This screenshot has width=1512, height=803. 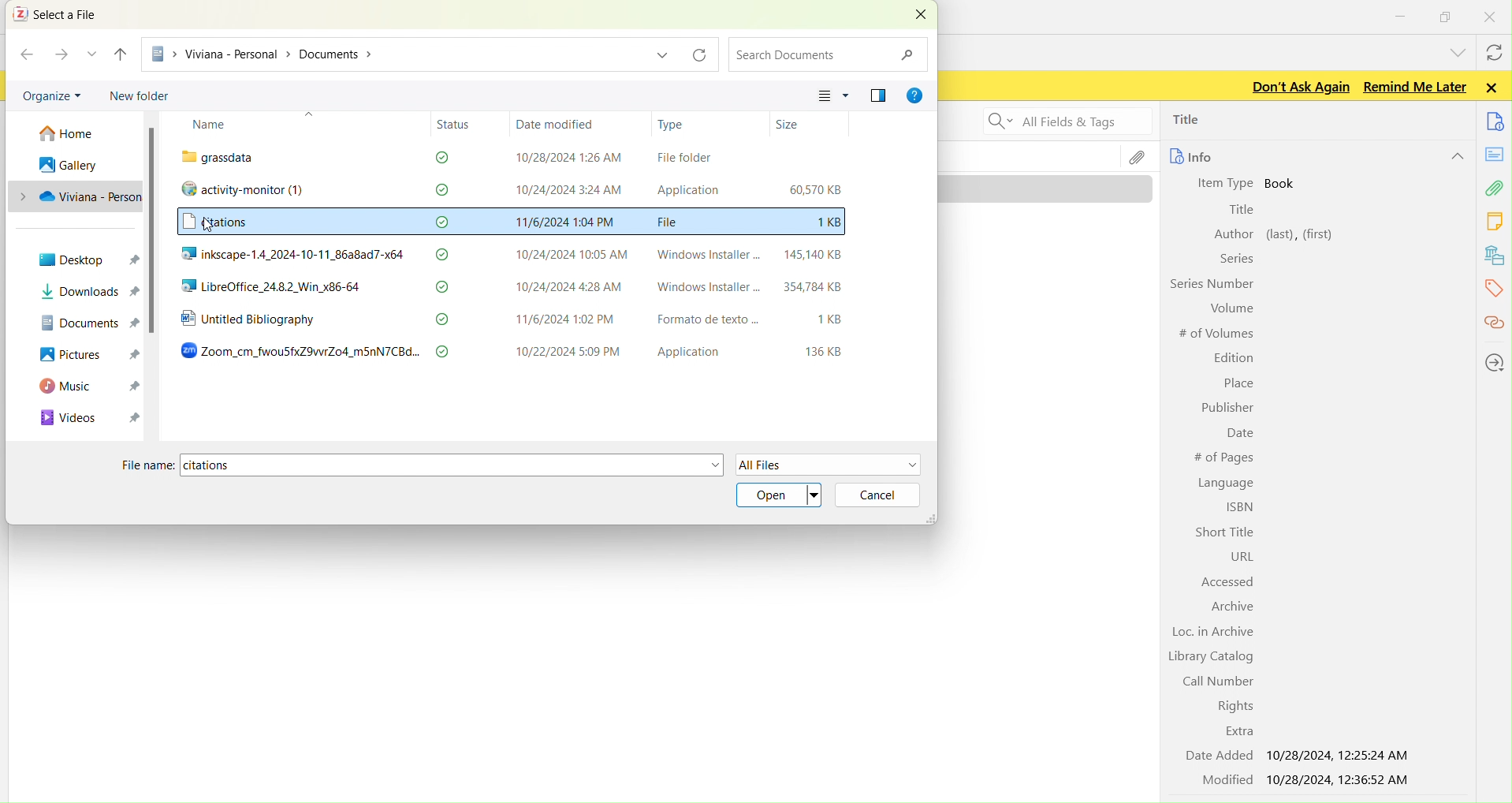 What do you see at coordinates (560, 222) in the screenshot?
I see `11/6/2024 1:04 PM` at bounding box center [560, 222].